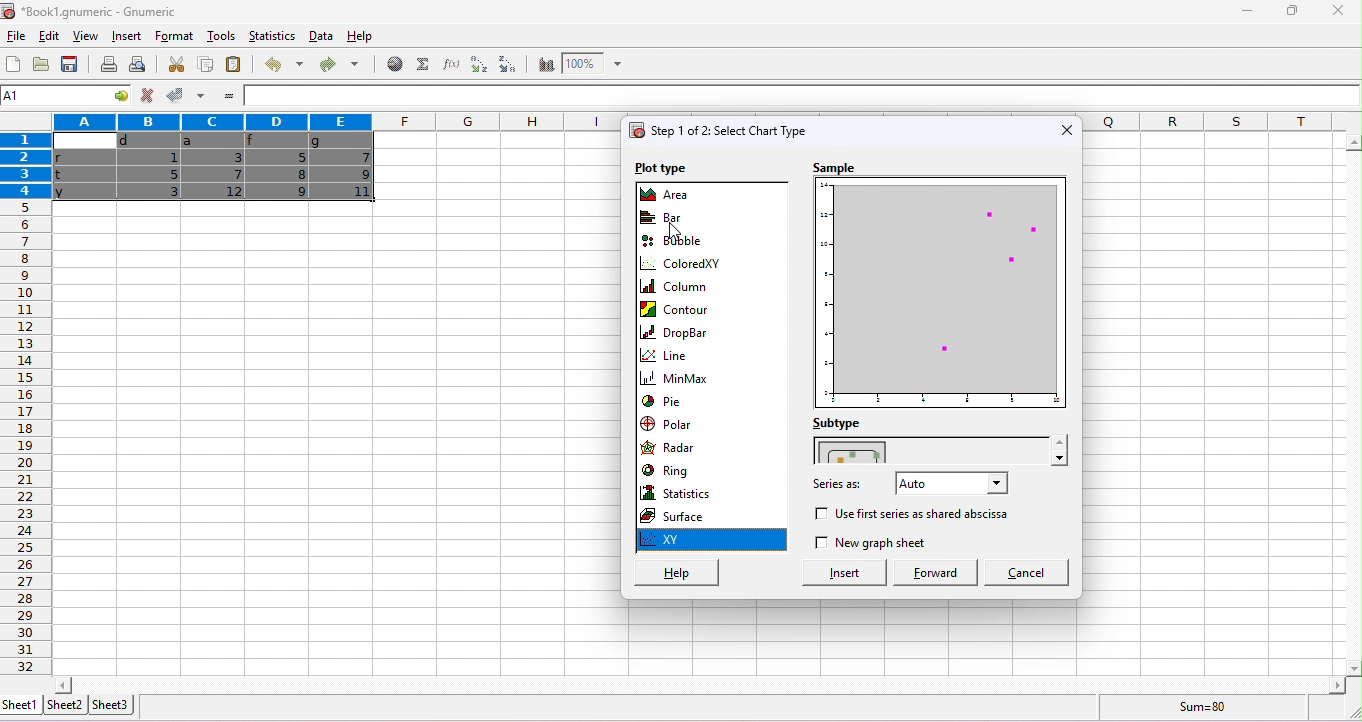 The width and height of the screenshot is (1362, 722). Describe the element at coordinates (677, 231) in the screenshot. I see `cursor` at that location.